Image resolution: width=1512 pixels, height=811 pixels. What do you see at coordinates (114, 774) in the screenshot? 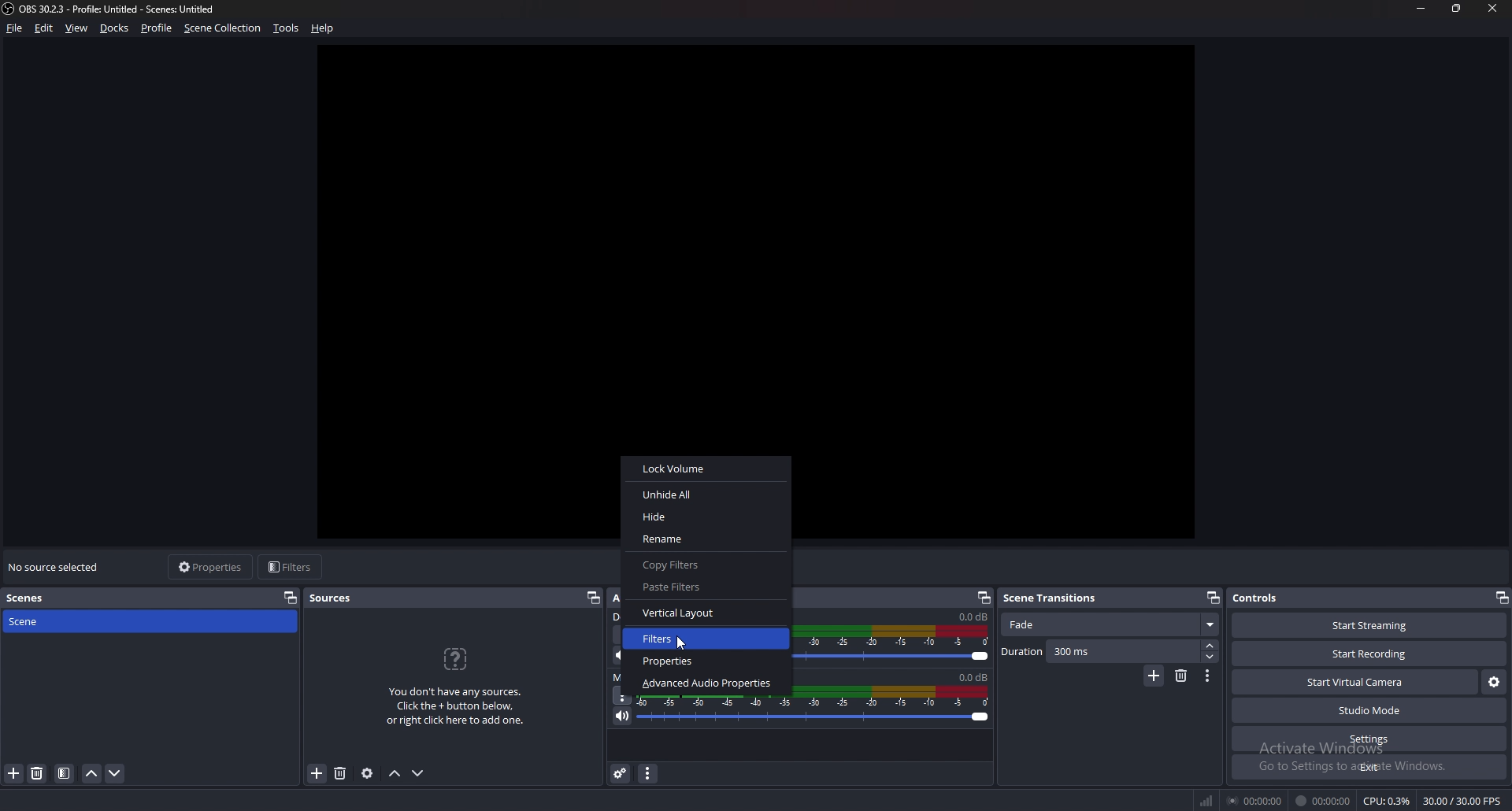
I see `move scene down` at bounding box center [114, 774].